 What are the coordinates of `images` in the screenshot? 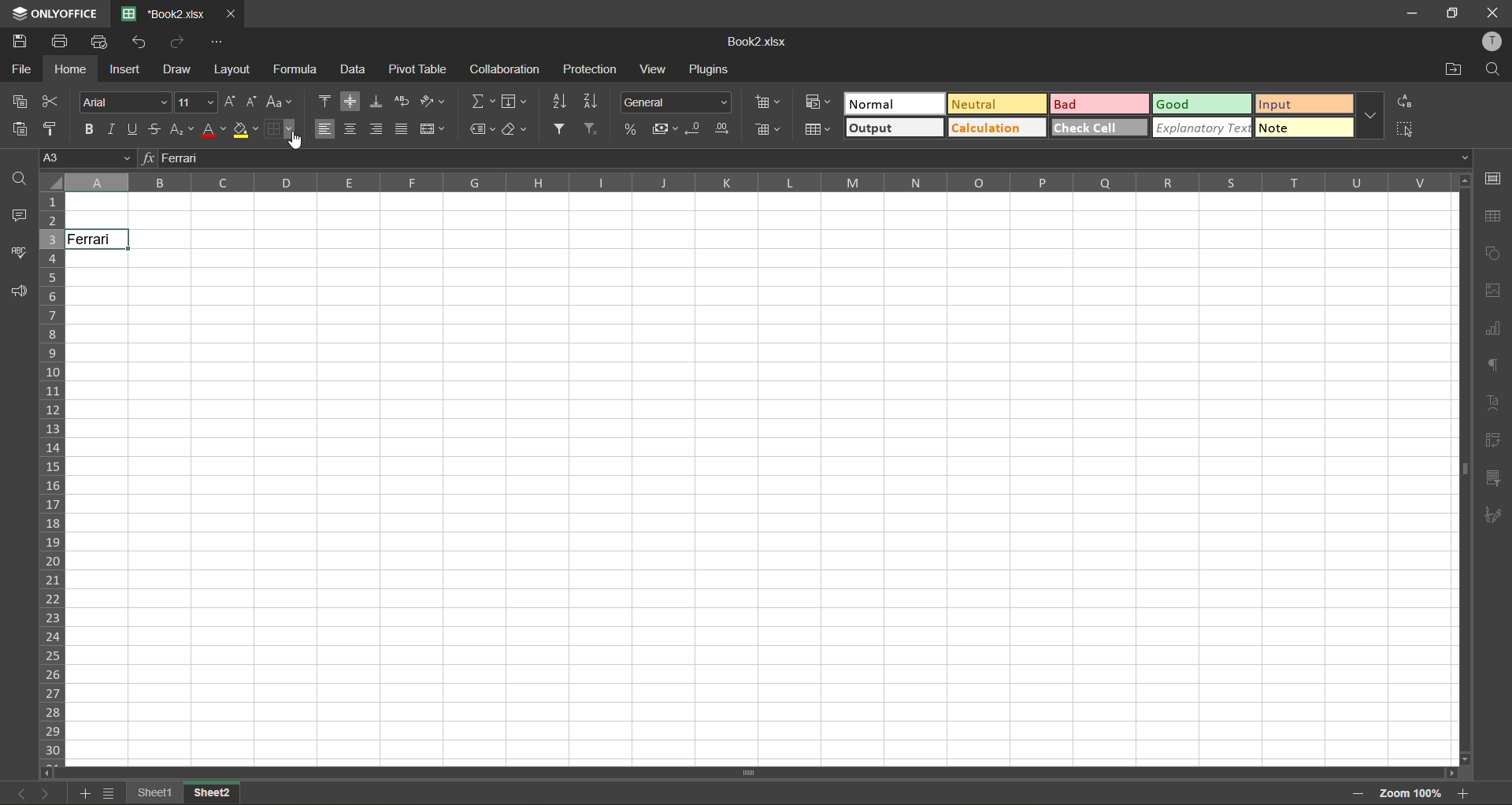 It's located at (1492, 292).